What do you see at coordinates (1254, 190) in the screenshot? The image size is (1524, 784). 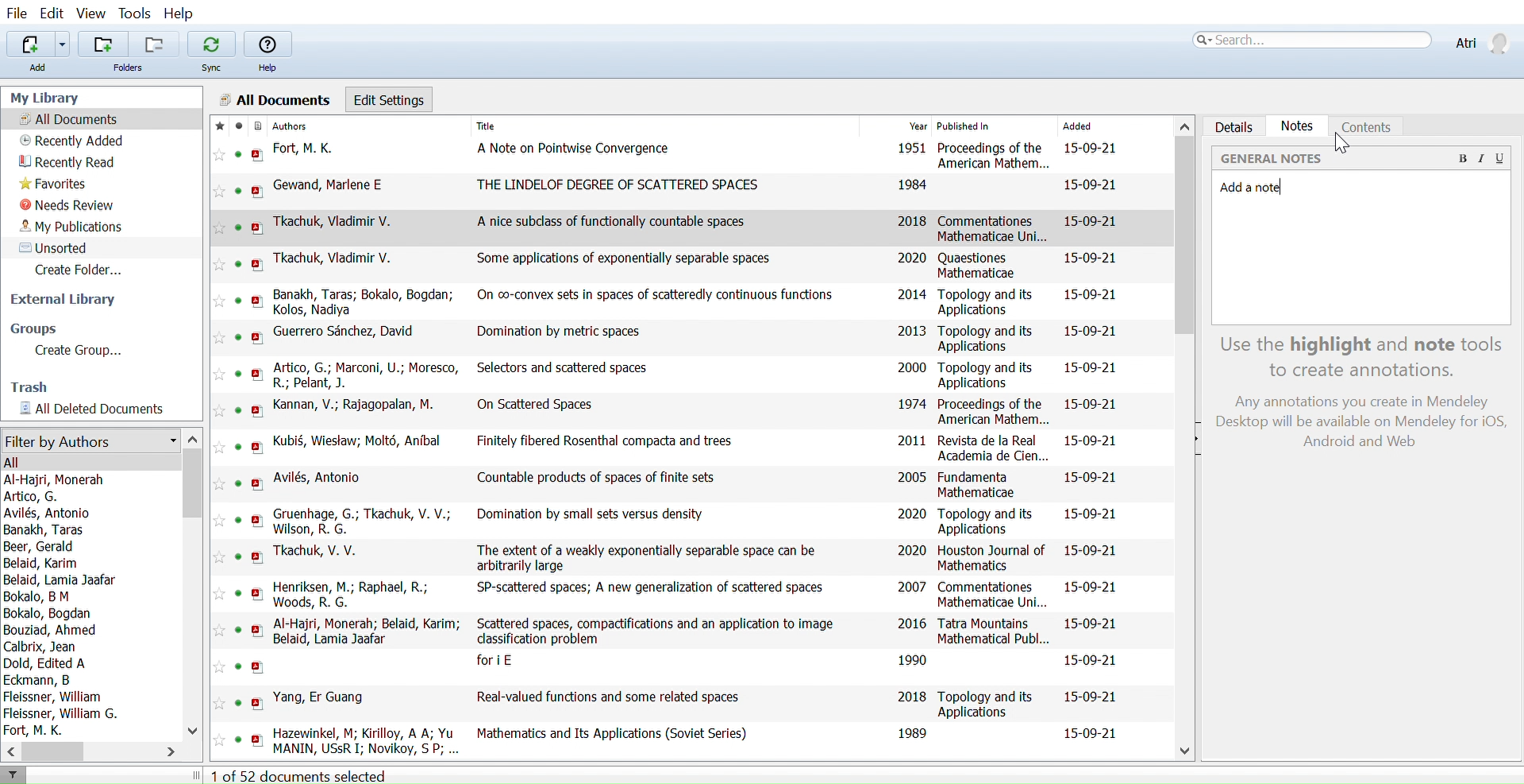 I see `Added note` at bounding box center [1254, 190].